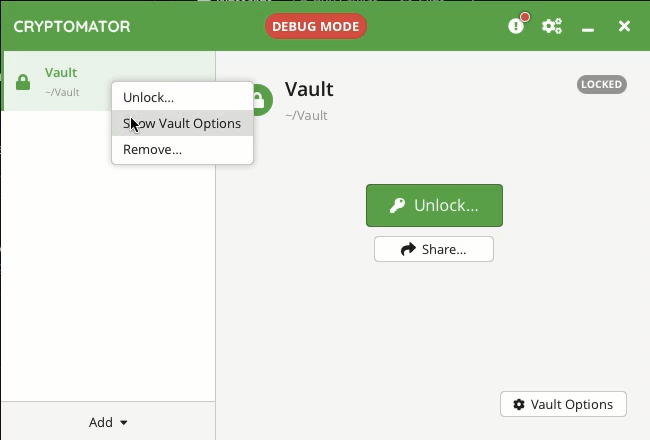 Image resolution: width=650 pixels, height=440 pixels. What do you see at coordinates (592, 29) in the screenshot?
I see `minimise` at bounding box center [592, 29].